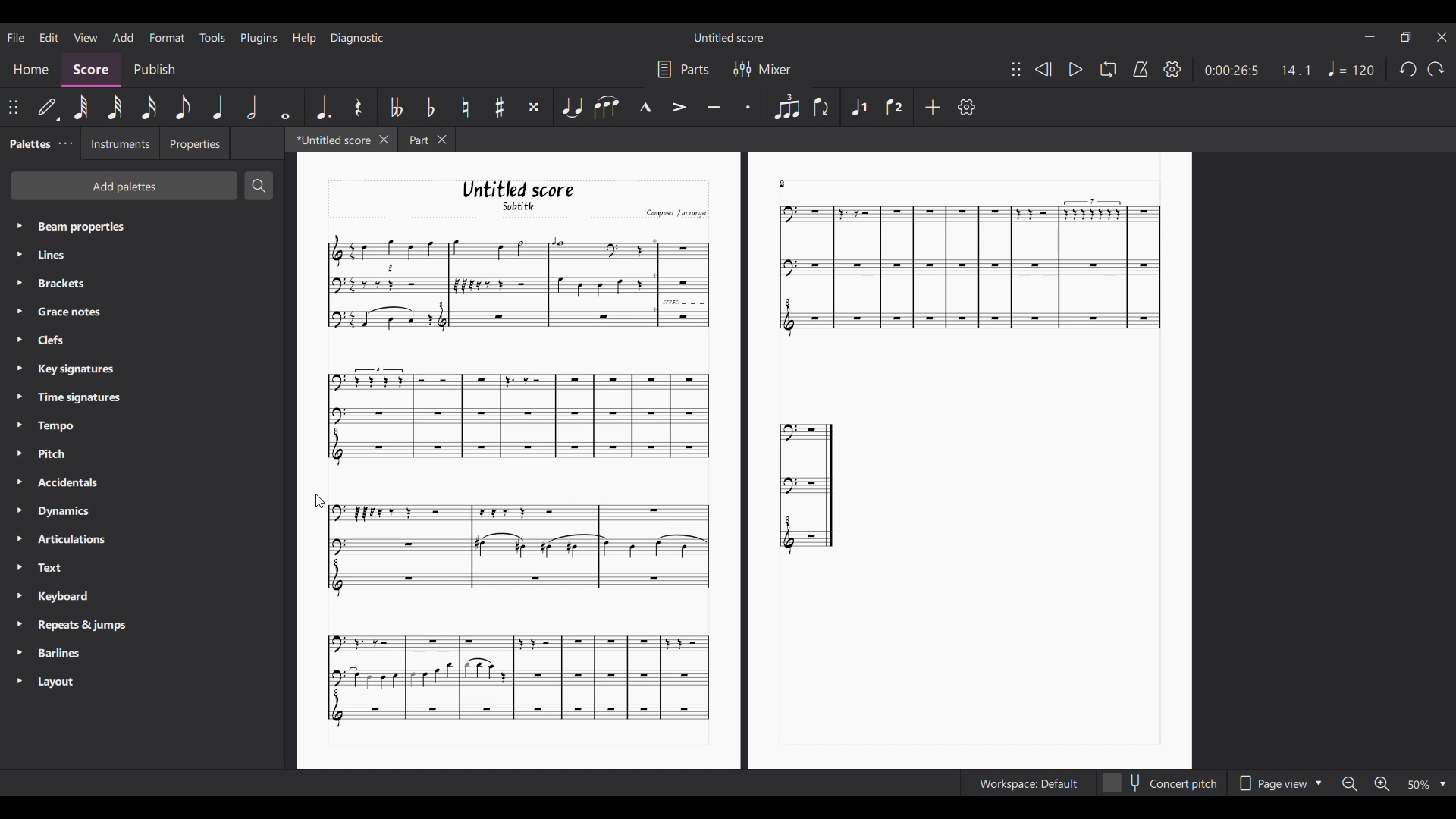 This screenshot has width=1456, height=819. What do you see at coordinates (360, 107) in the screenshot?
I see `Rest` at bounding box center [360, 107].